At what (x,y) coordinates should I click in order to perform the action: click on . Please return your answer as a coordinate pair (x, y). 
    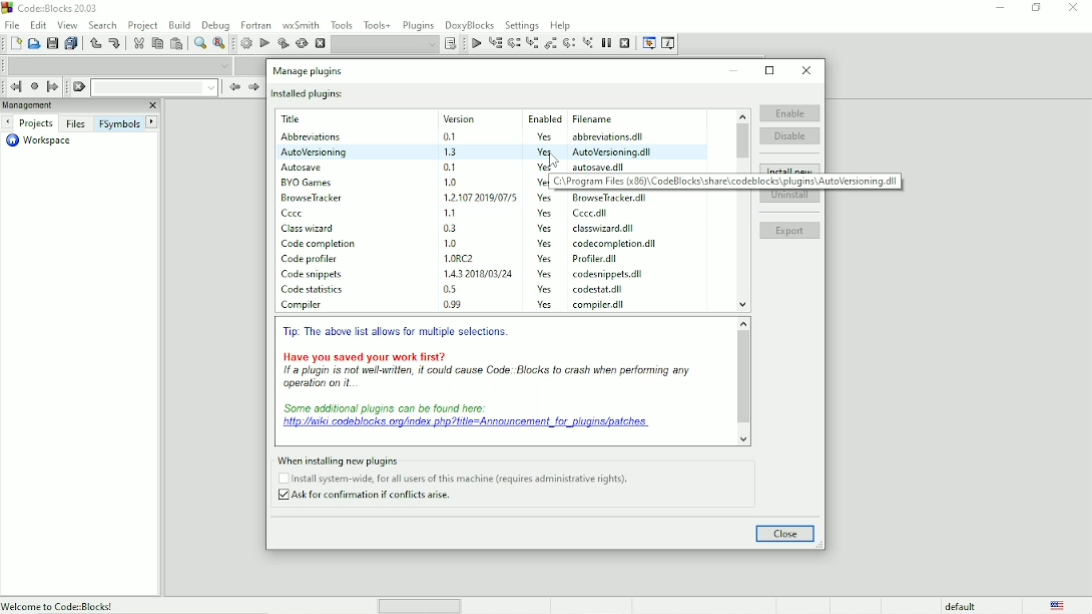
    Looking at the image, I should click on (494, 43).